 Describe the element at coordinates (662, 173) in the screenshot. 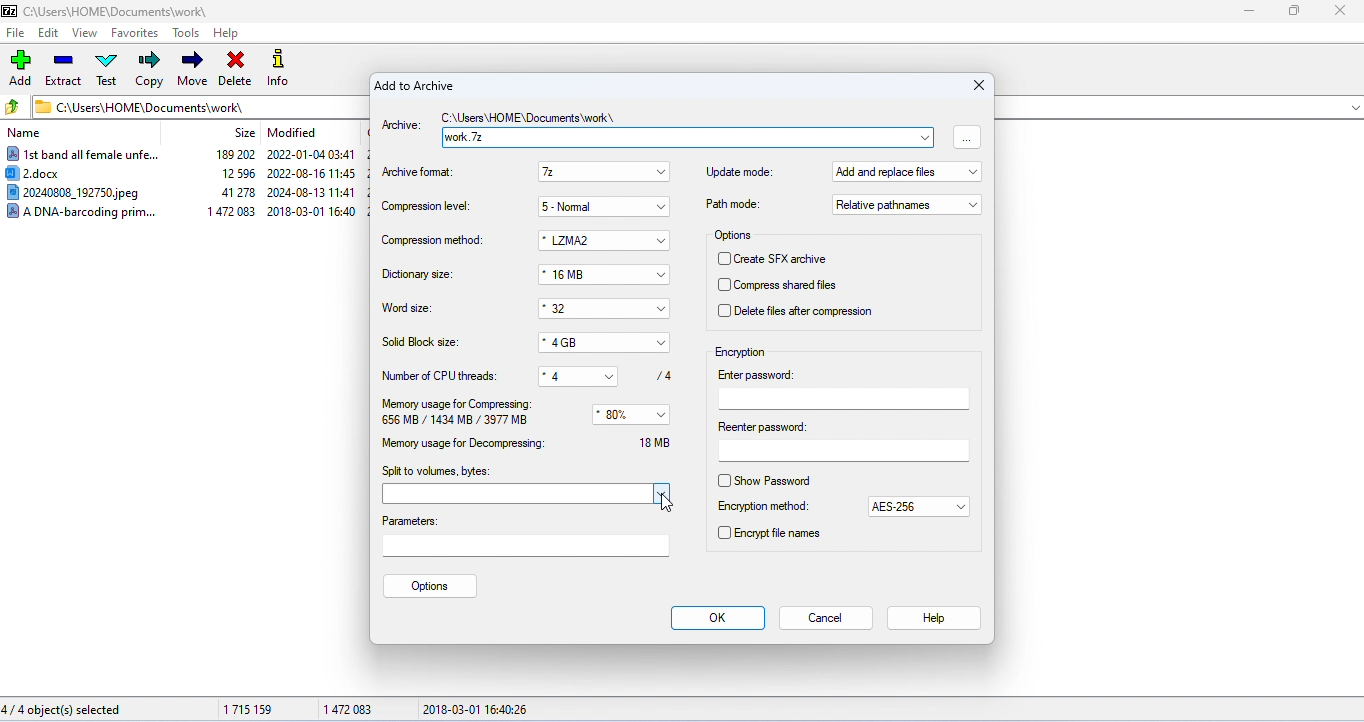

I see `drop down` at that location.